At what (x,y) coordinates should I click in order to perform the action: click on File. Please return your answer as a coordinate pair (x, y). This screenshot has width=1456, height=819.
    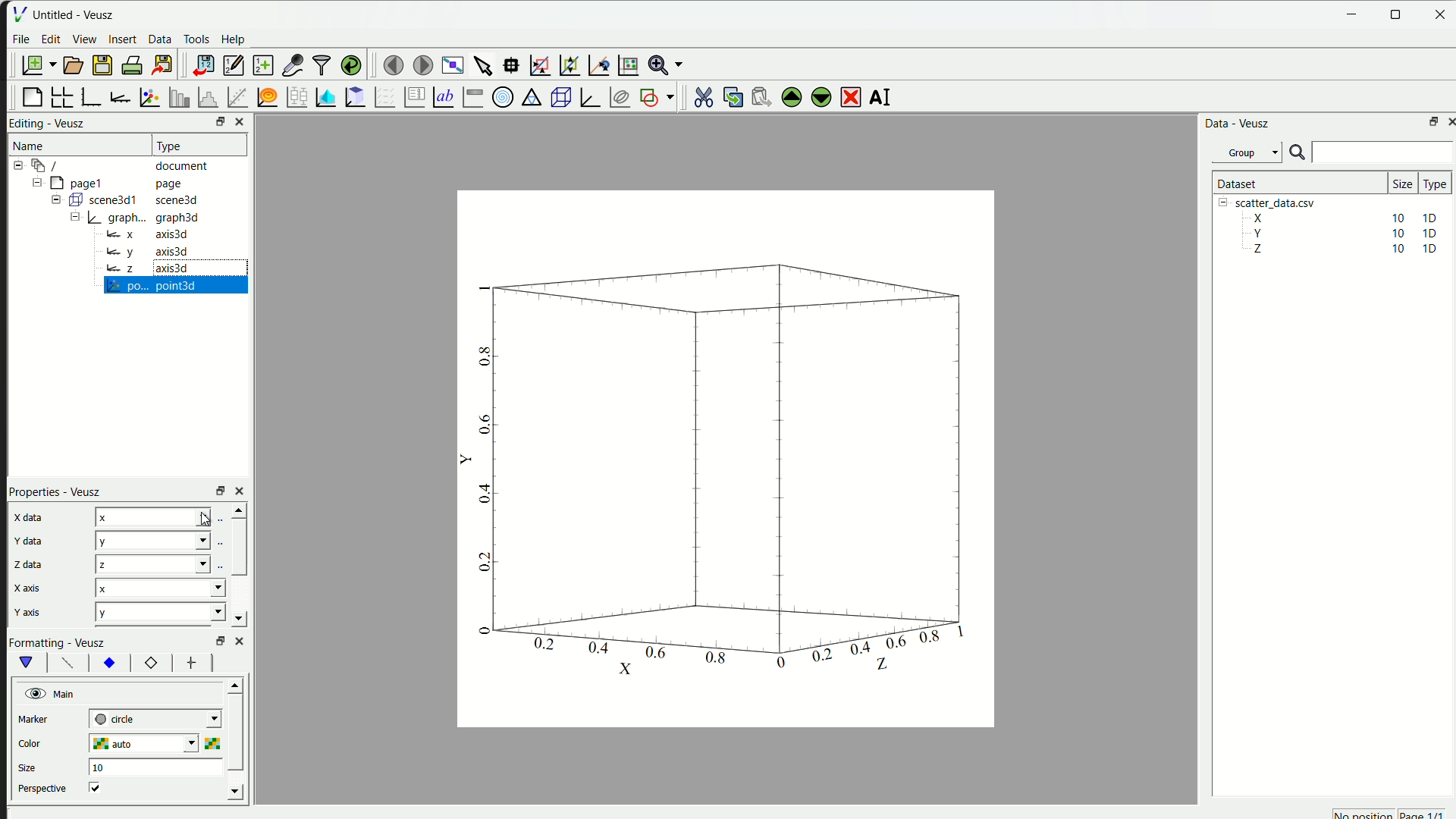
    Looking at the image, I should click on (22, 40).